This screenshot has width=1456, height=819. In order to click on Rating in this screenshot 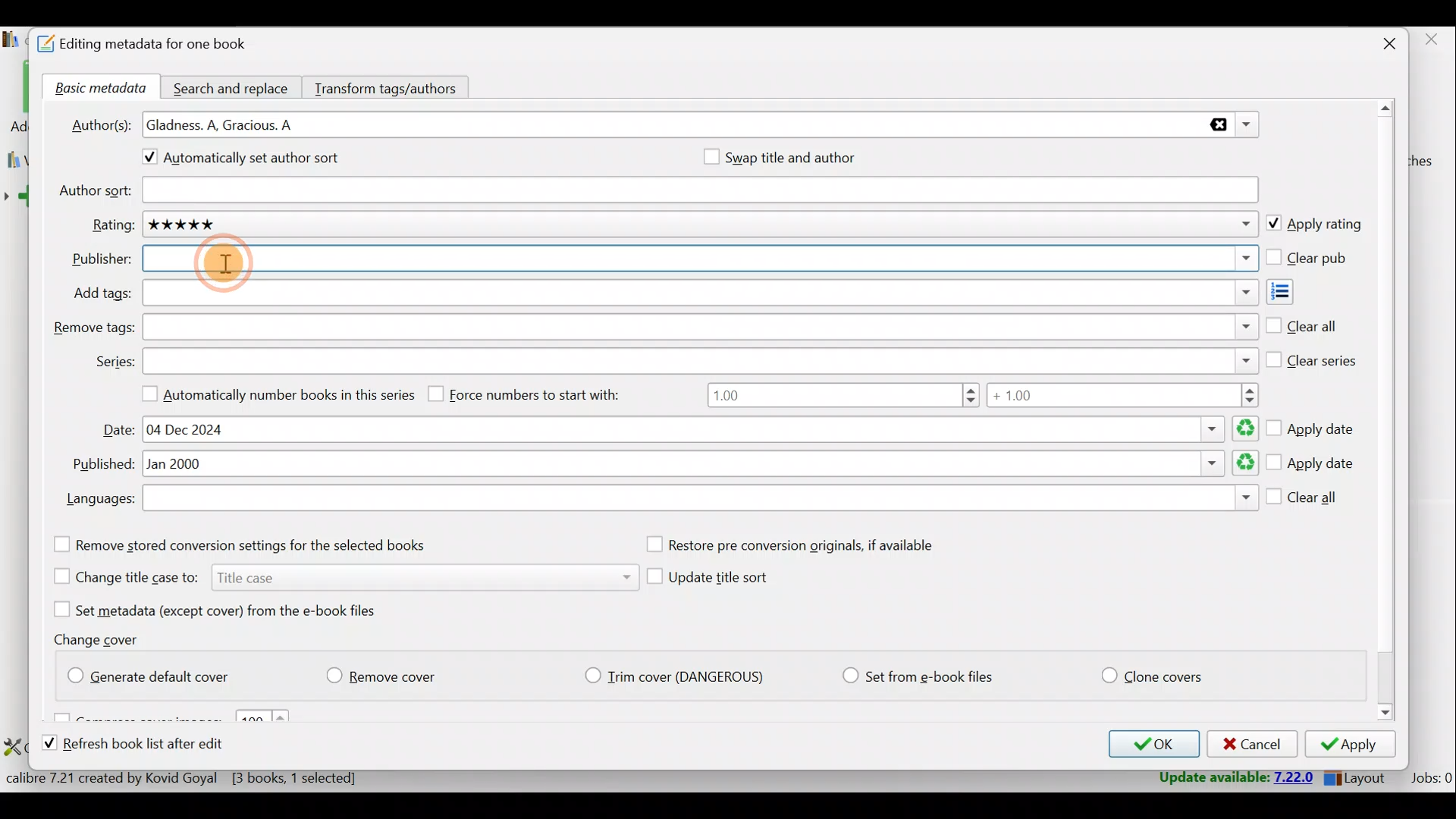, I will do `click(703, 227)`.